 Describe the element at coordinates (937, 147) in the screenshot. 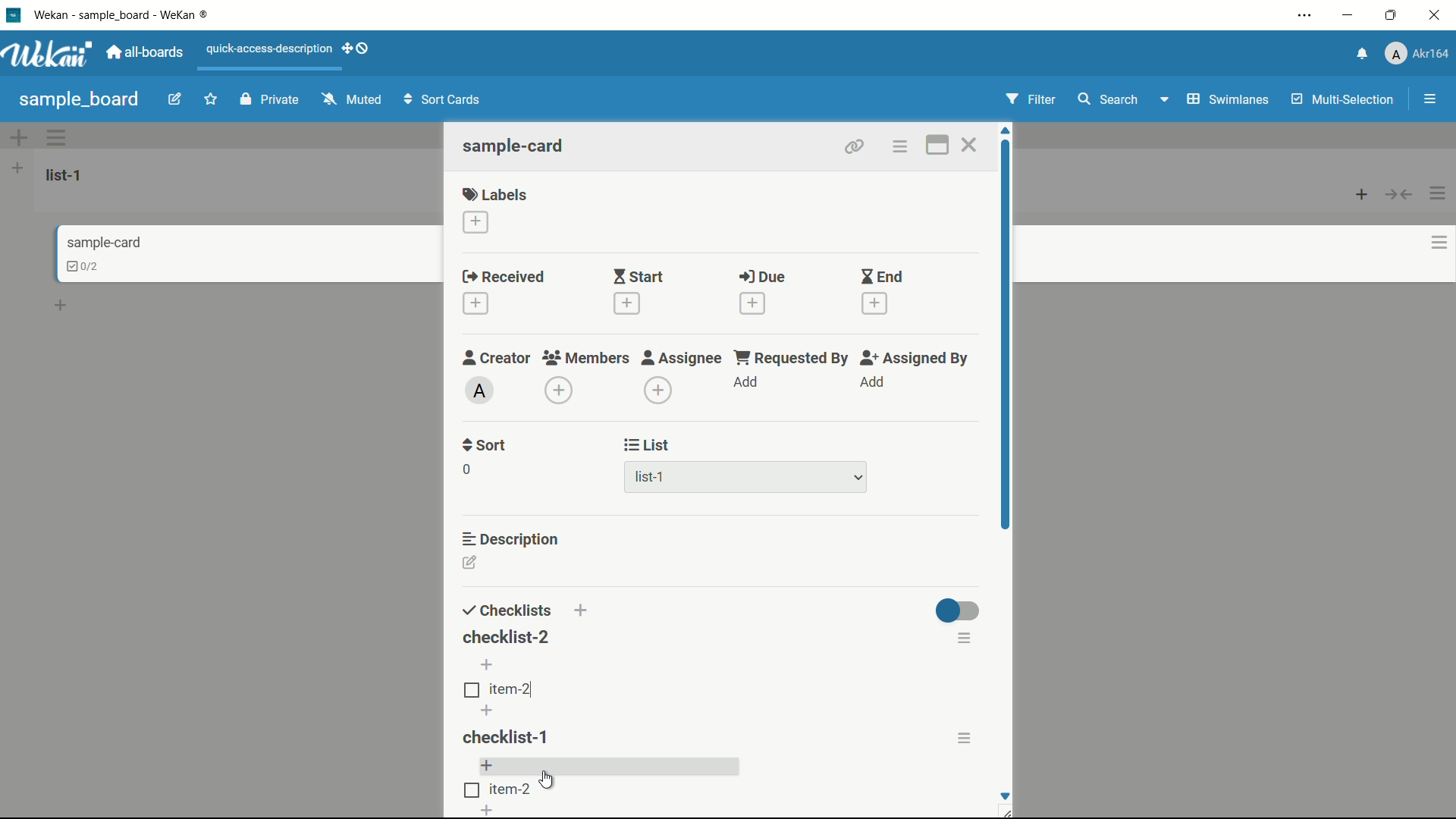

I see `maximize card` at that location.